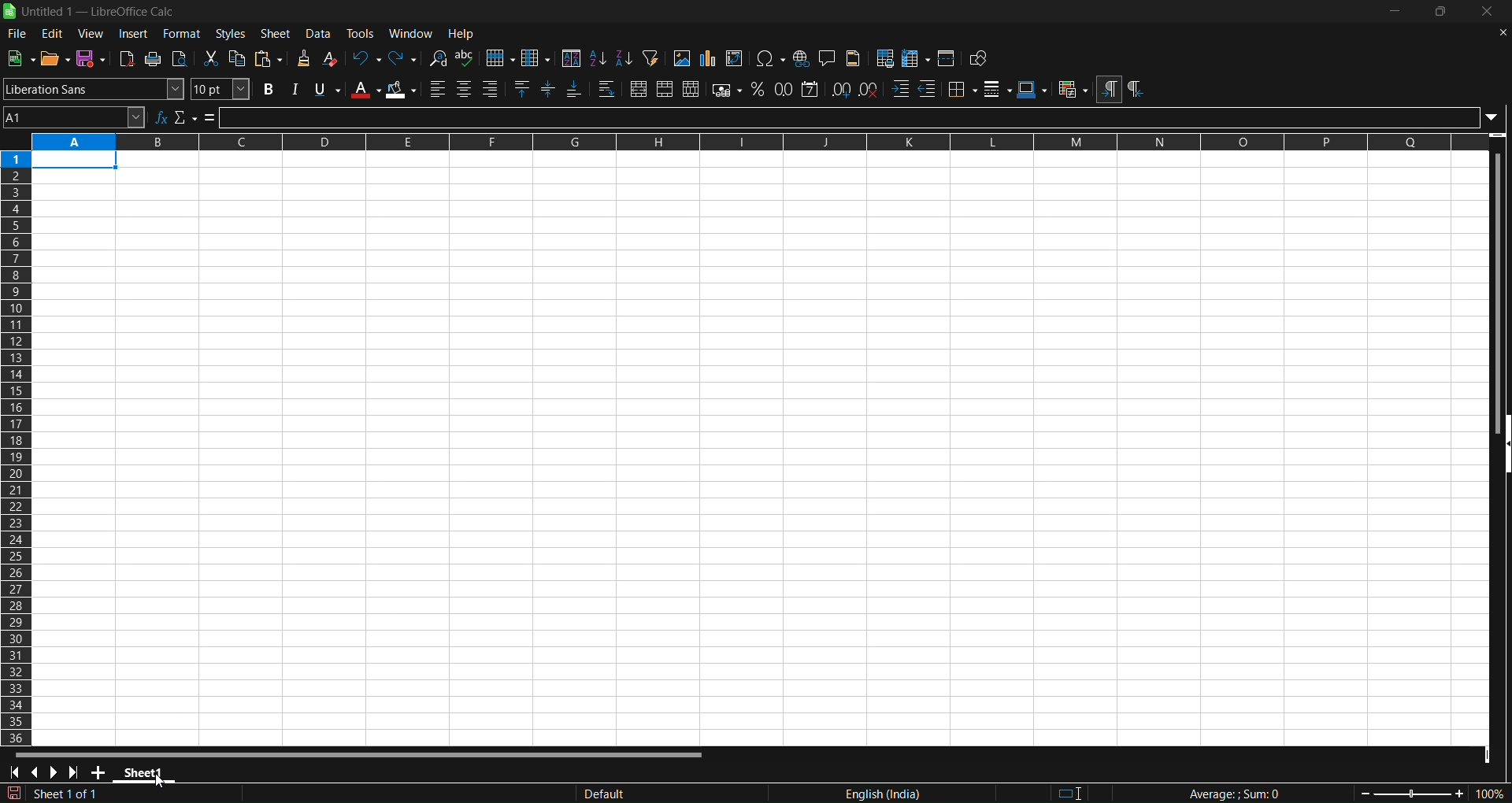 This screenshot has width=1512, height=803. I want to click on text language, so click(806, 793).